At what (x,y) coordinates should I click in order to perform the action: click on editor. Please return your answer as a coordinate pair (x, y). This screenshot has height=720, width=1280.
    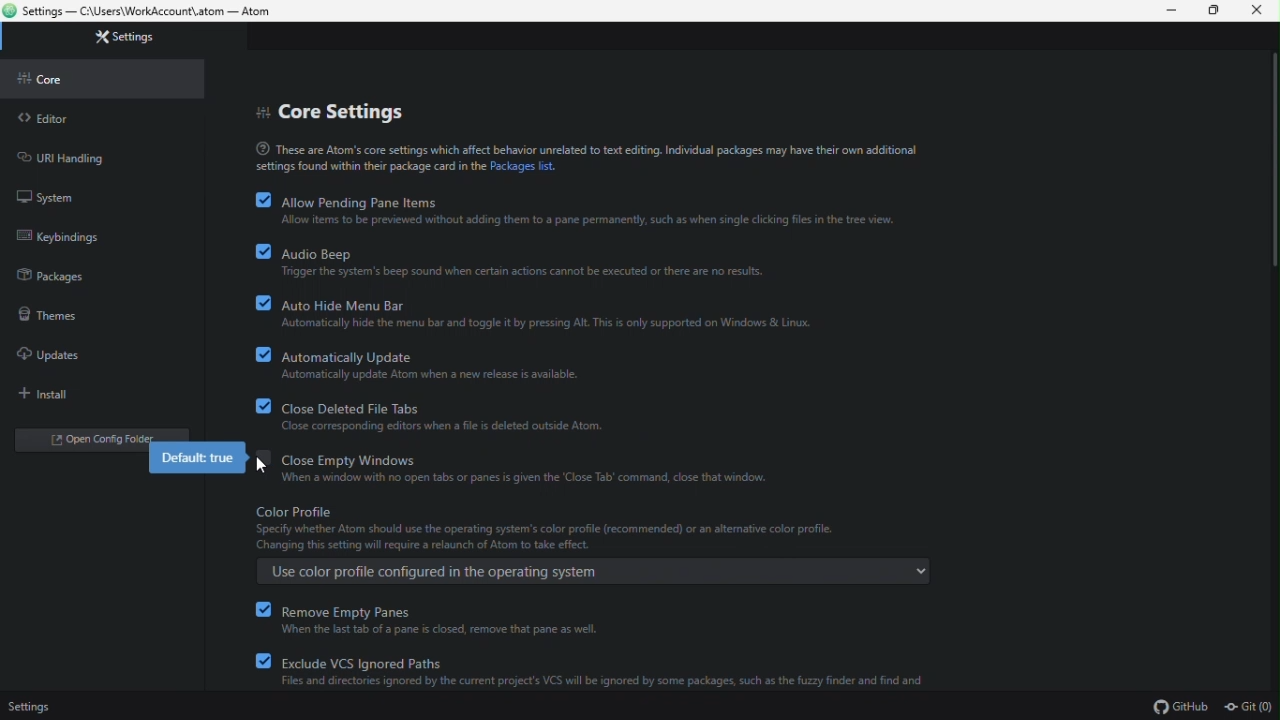
    Looking at the image, I should click on (48, 118).